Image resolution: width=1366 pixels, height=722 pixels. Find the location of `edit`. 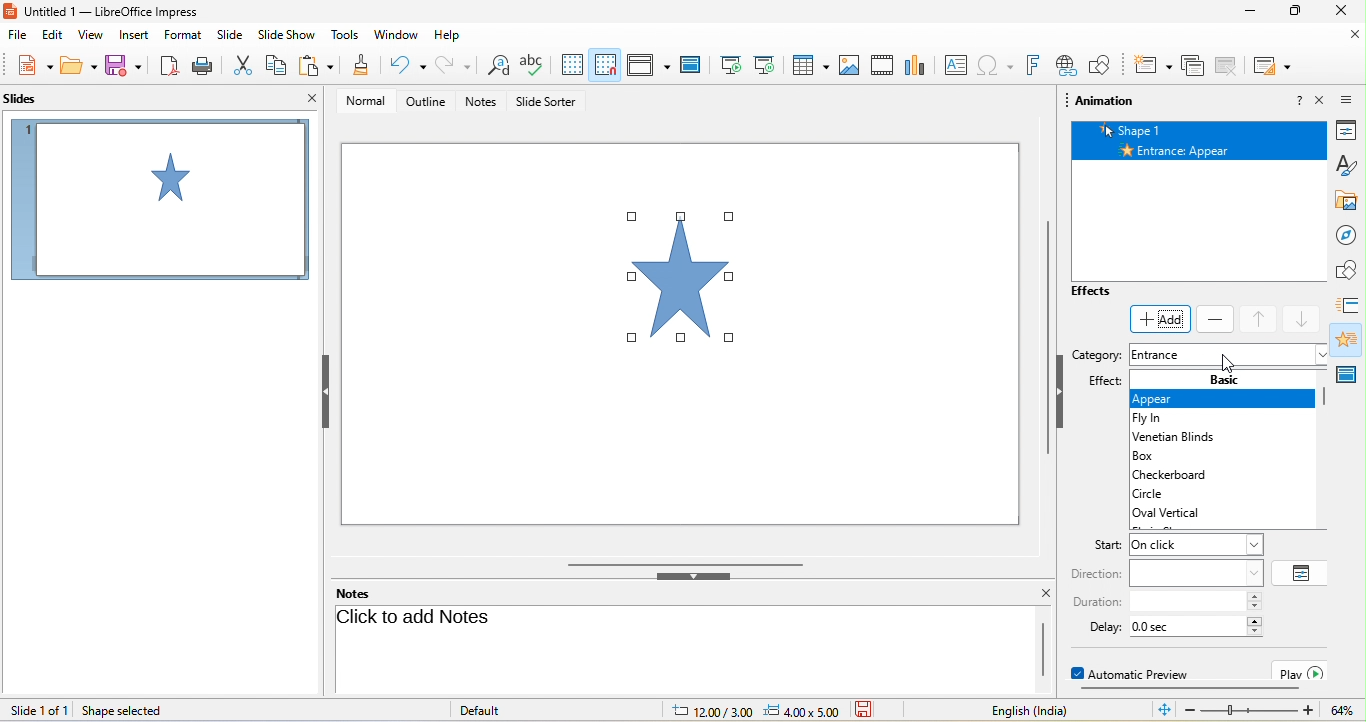

edit is located at coordinates (52, 36).